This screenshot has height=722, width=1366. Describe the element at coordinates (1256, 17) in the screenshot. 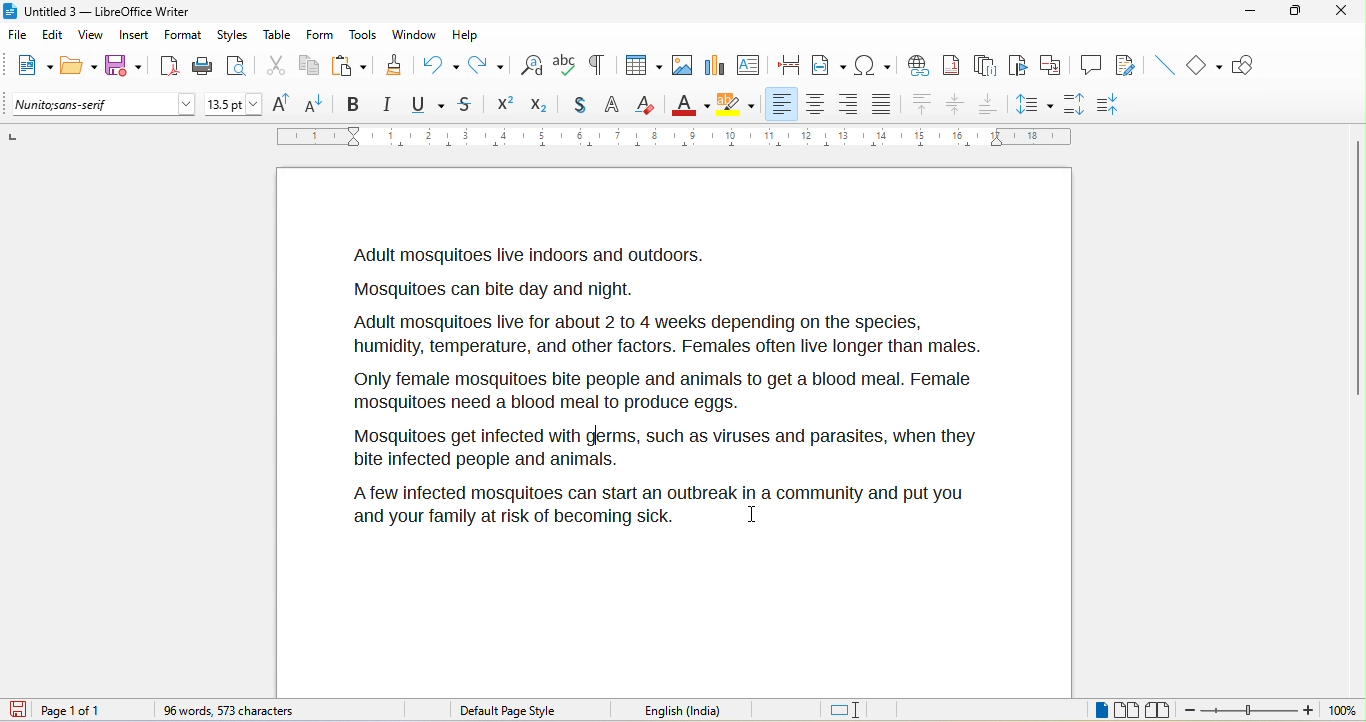

I see `minimize` at that location.